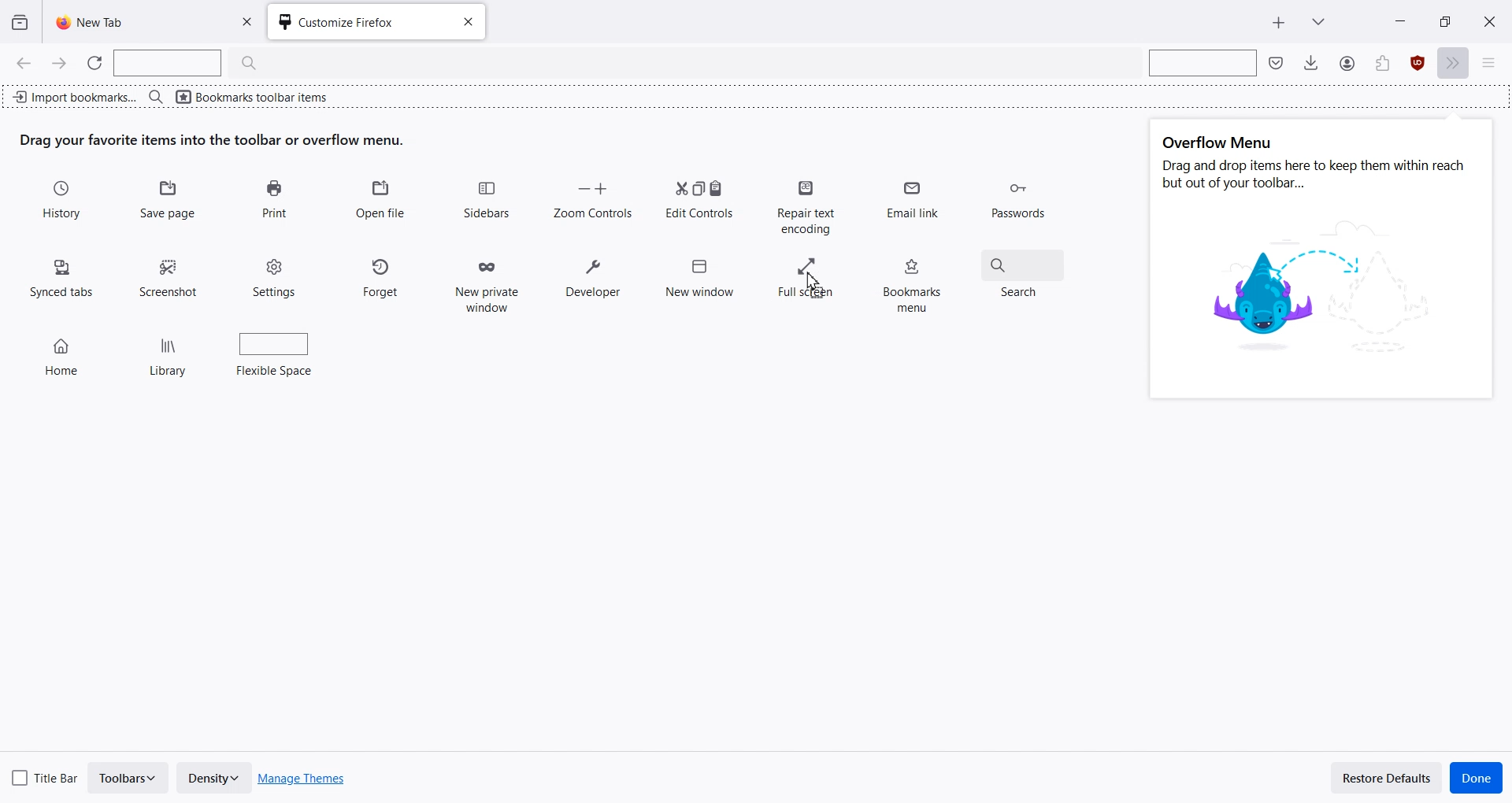 The image size is (1512, 803). Describe the element at coordinates (1495, 64) in the screenshot. I see `Open Application menu` at that location.